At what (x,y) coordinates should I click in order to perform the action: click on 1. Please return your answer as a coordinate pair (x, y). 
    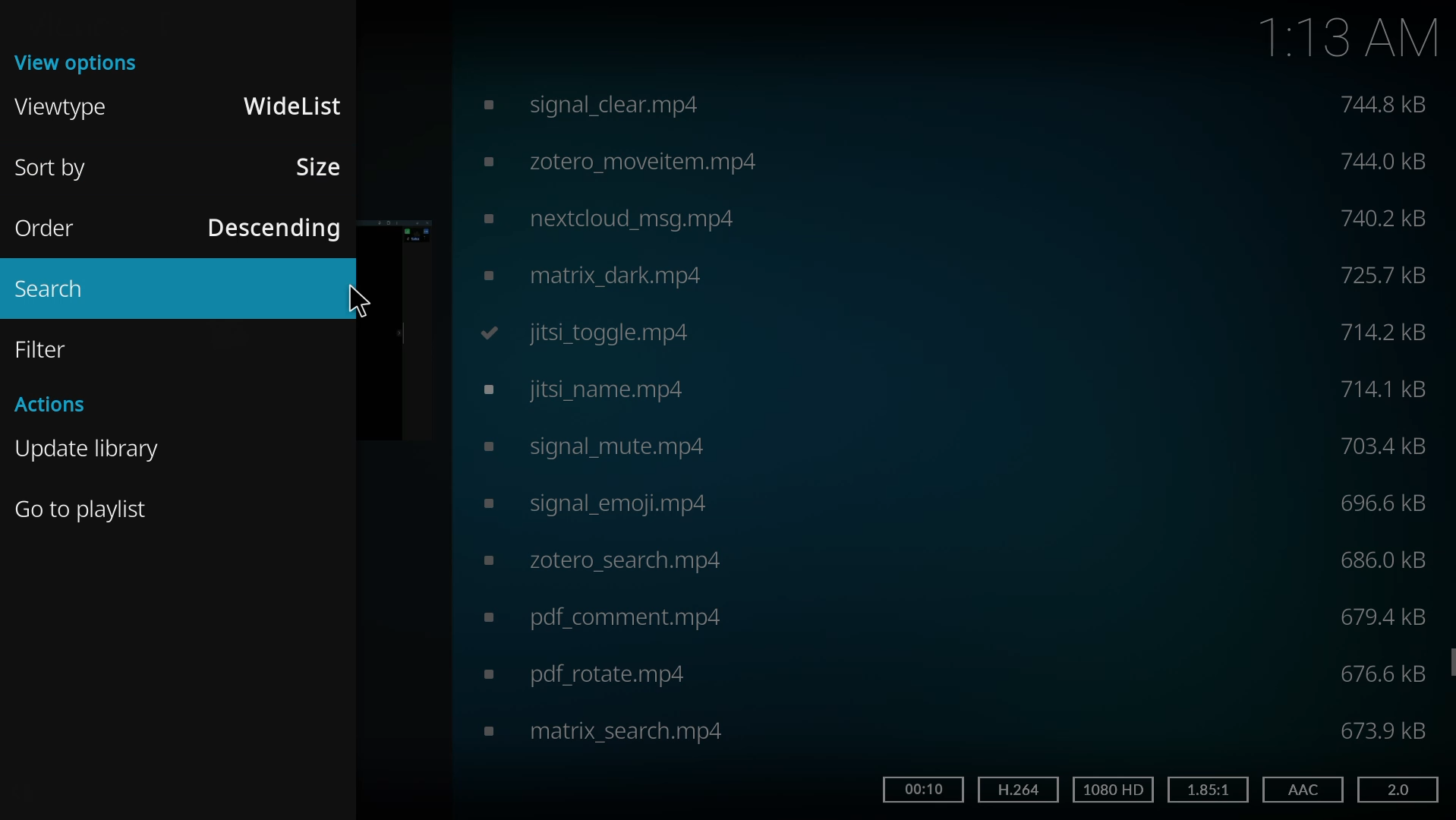
    Looking at the image, I should click on (1209, 787).